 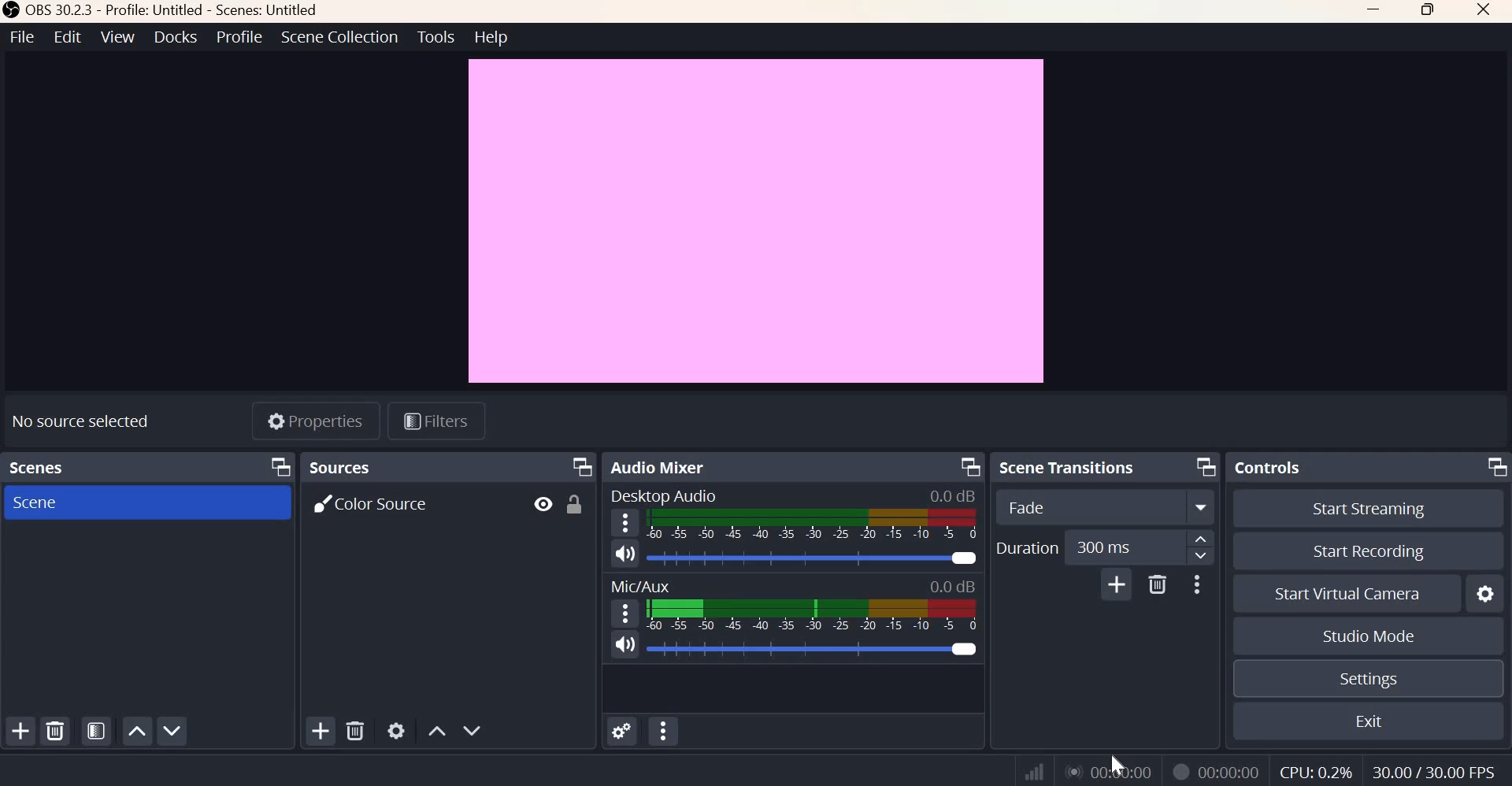 What do you see at coordinates (439, 421) in the screenshot?
I see `Open source filters` at bounding box center [439, 421].